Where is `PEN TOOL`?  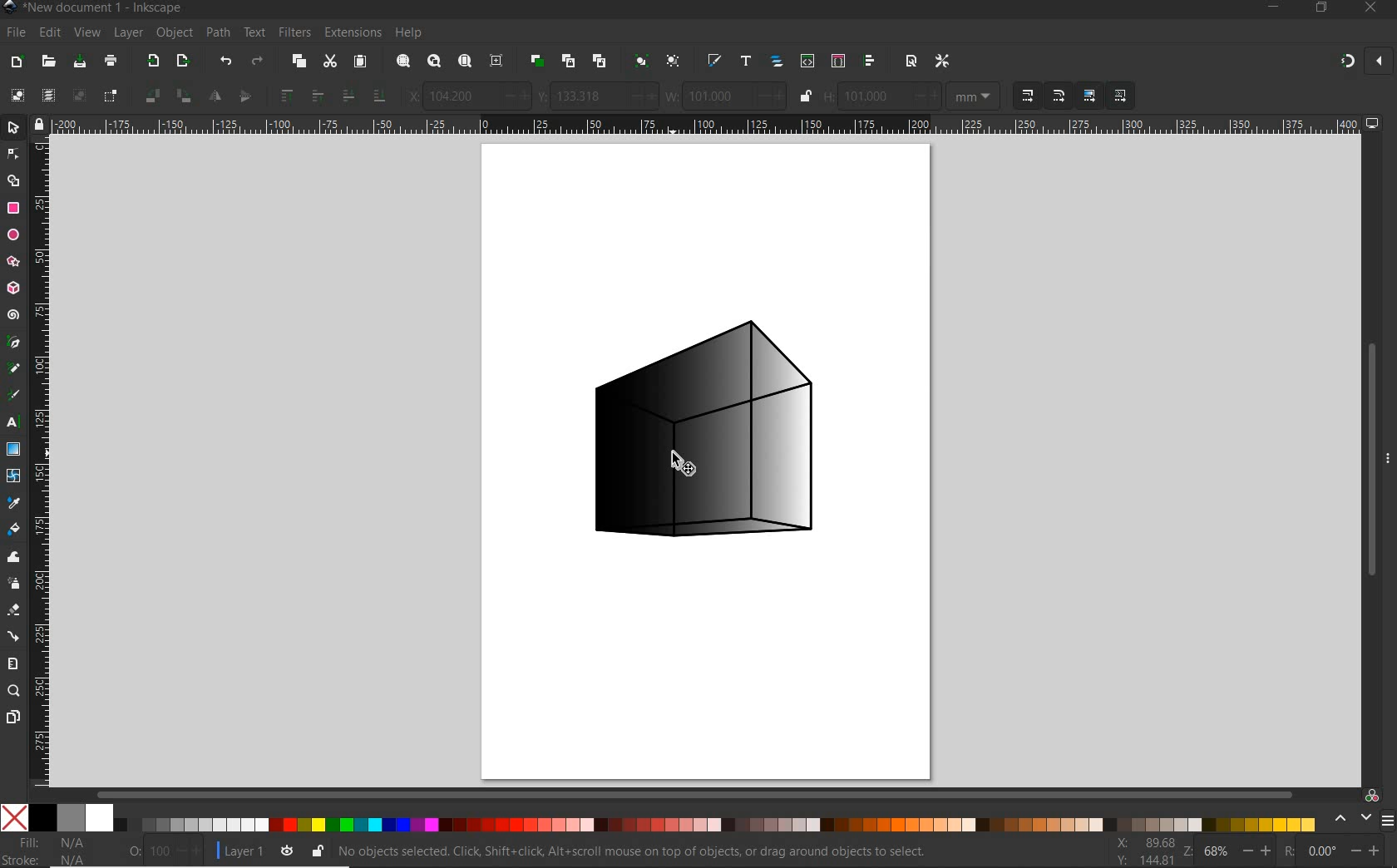 PEN TOOL is located at coordinates (15, 343).